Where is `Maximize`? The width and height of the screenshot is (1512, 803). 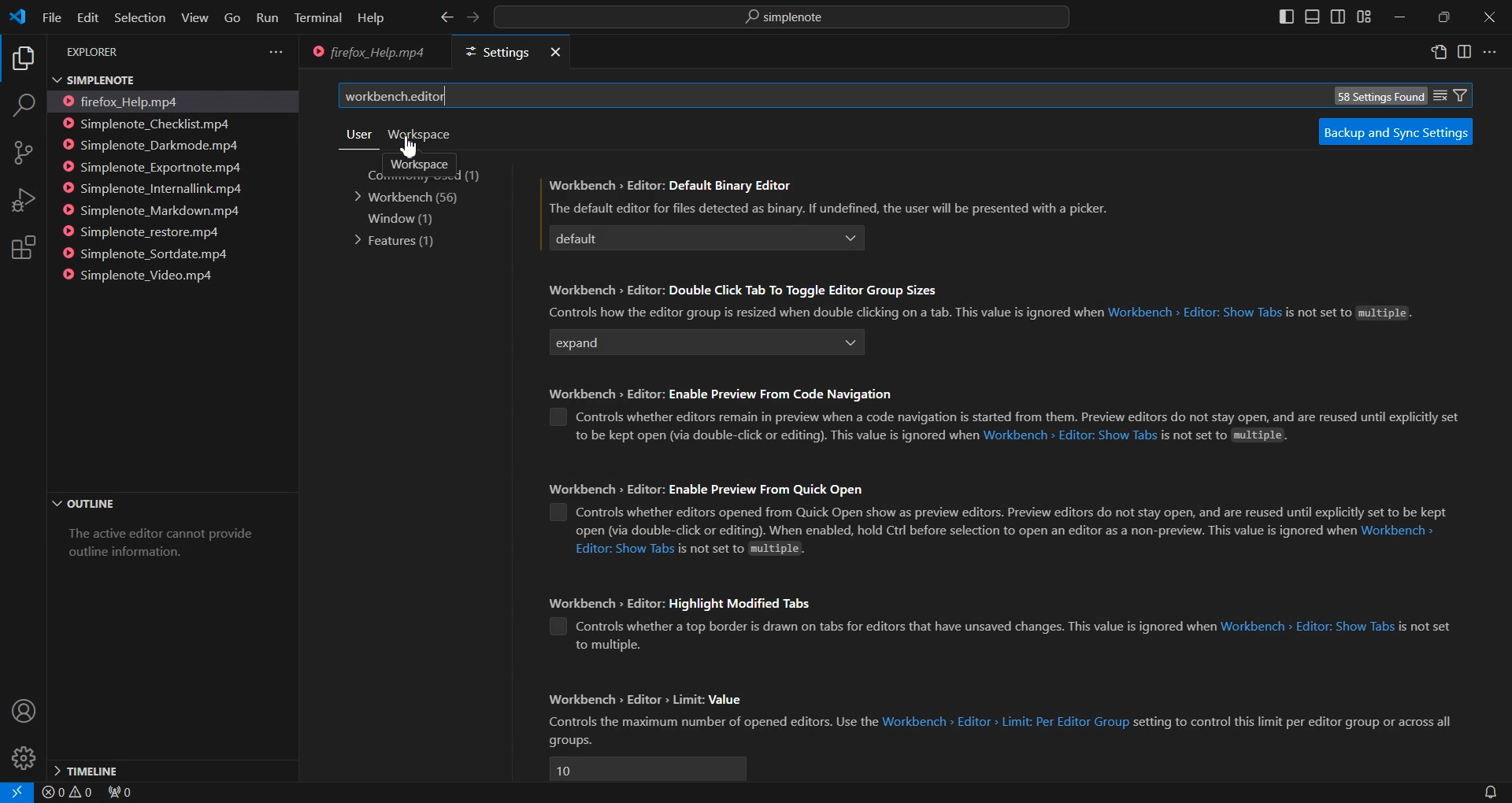
Maximize is located at coordinates (1444, 17).